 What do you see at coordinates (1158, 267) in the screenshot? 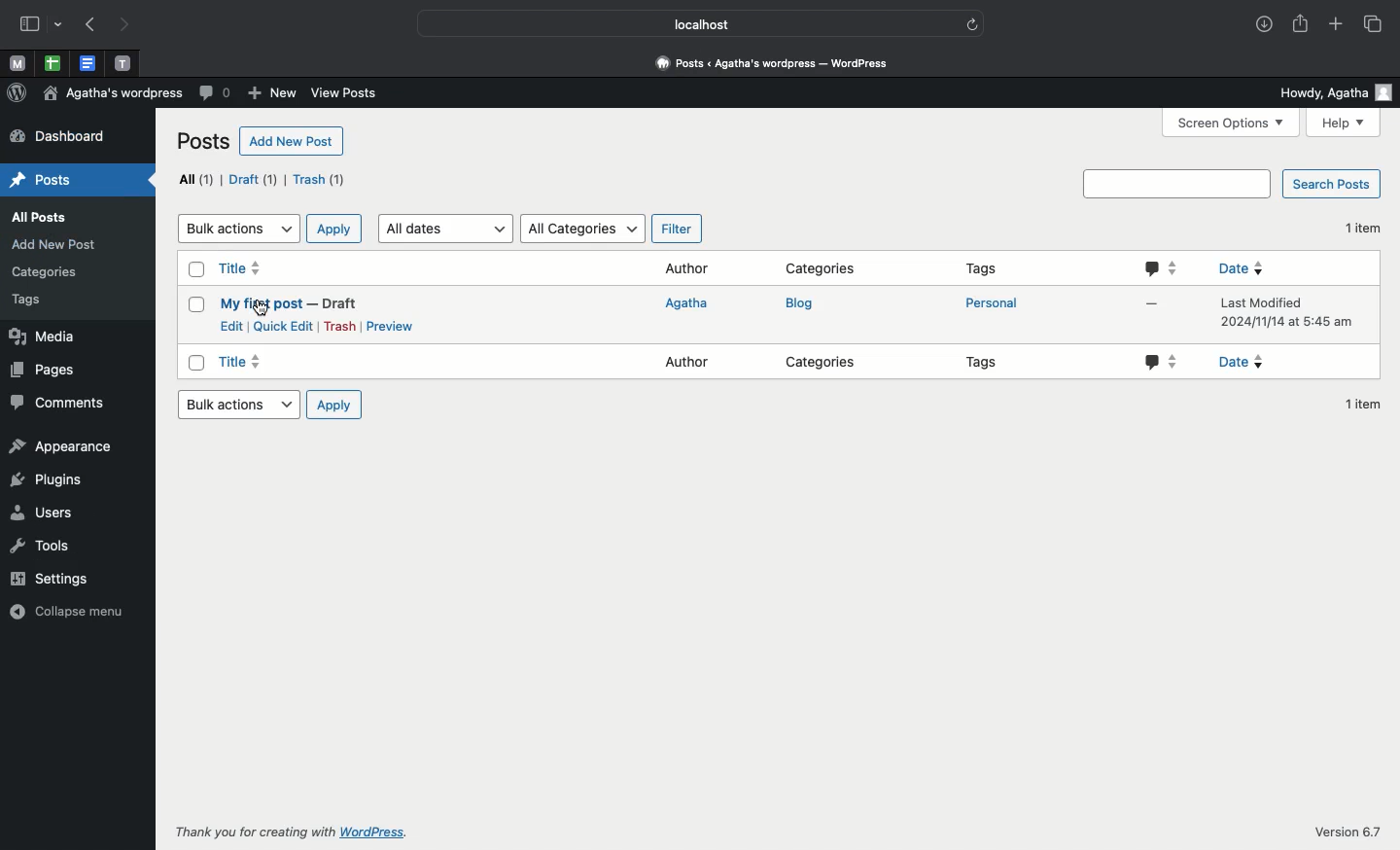
I see `Comments` at bounding box center [1158, 267].